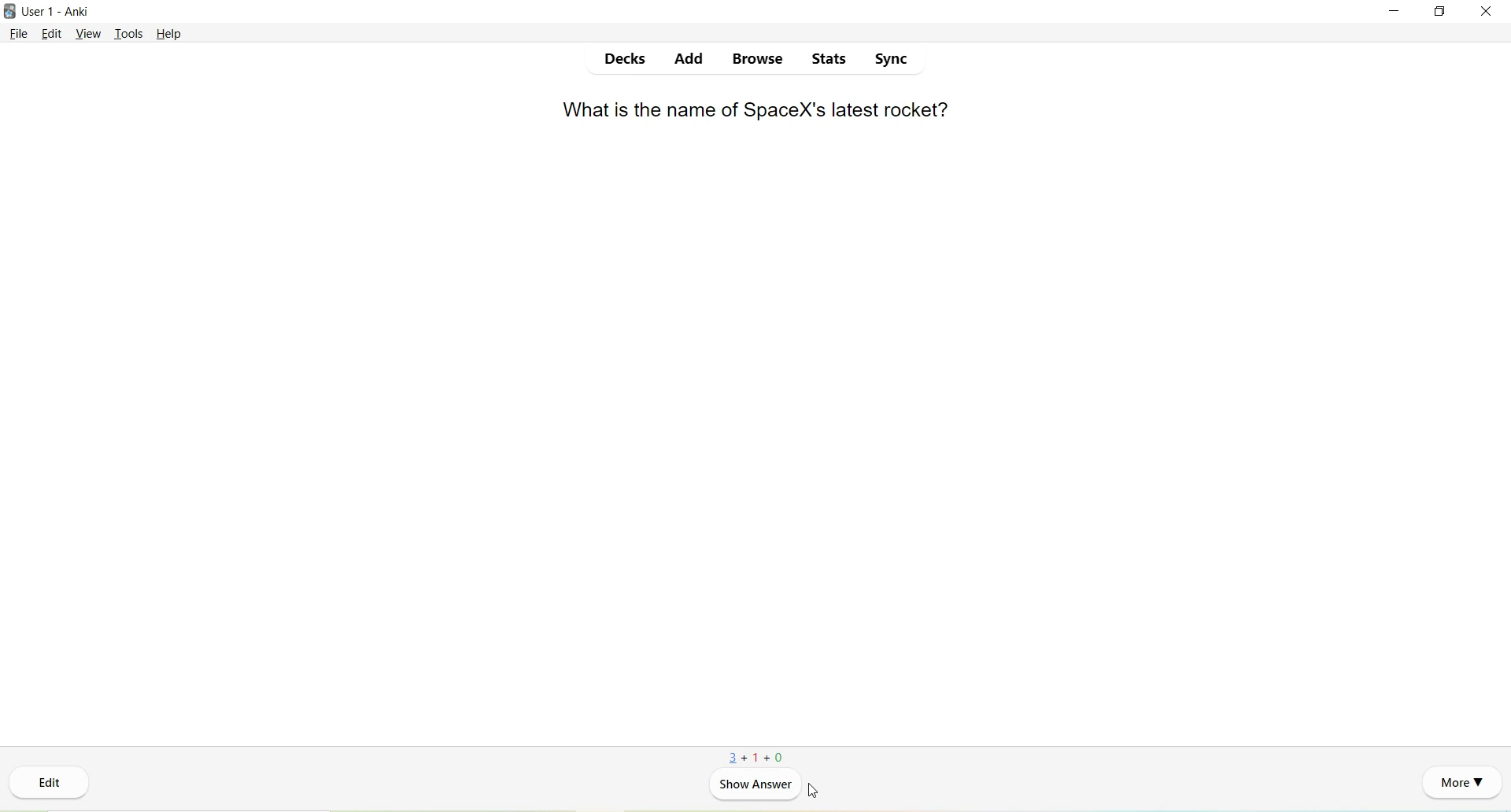 The image size is (1511, 812). I want to click on 3+1+0, so click(755, 758).